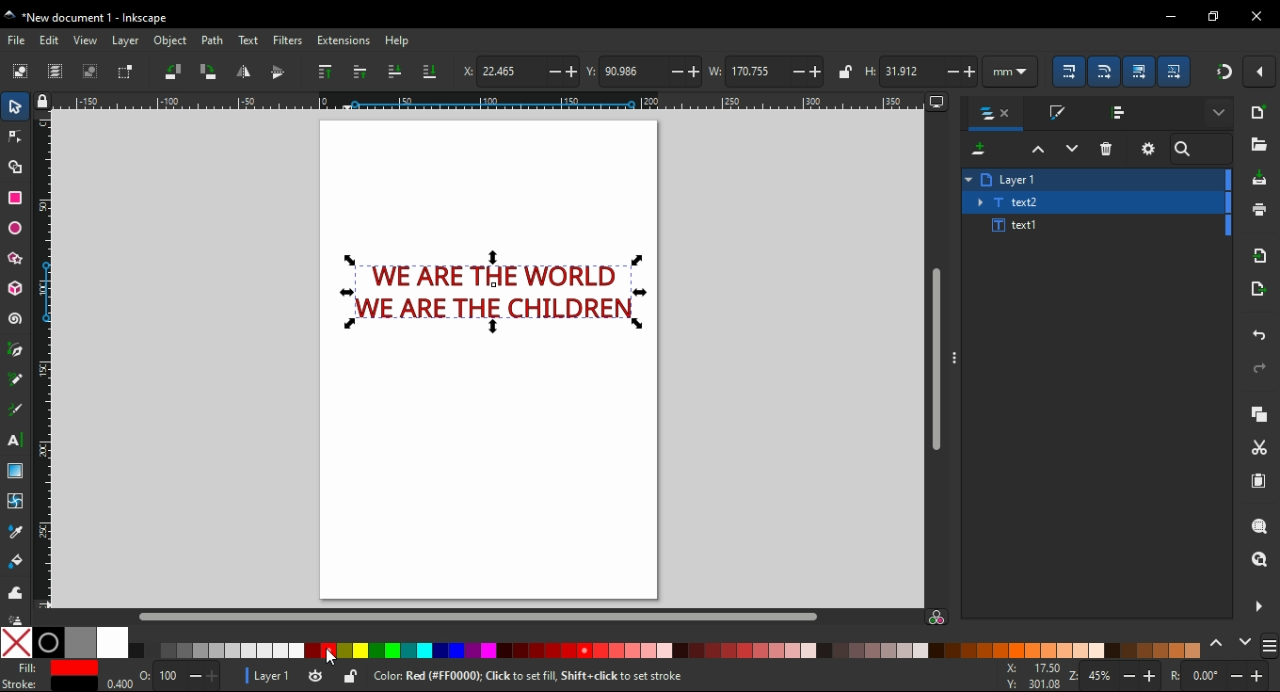 This screenshot has width=1280, height=692. Describe the element at coordinates (14, 353) in the screenshot. I see `pen tool` at that location.